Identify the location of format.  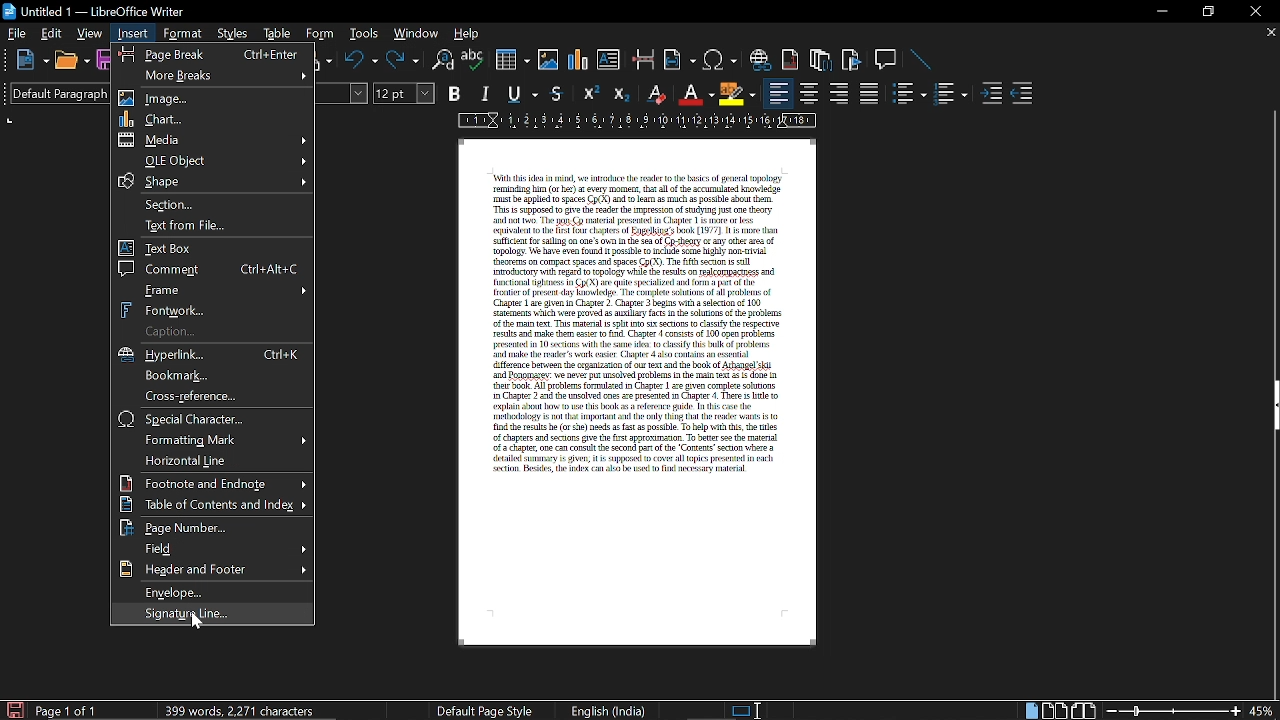
(183, 34).